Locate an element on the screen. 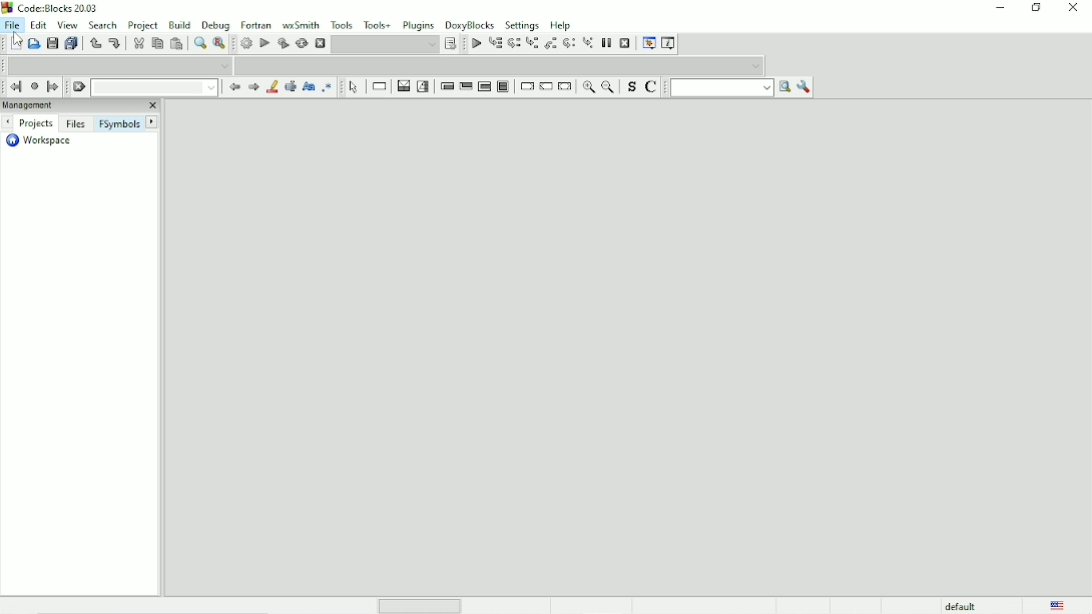 Image resolution: width=1092 pixels, height=614 pixels. cursor is located at coordinates (19, 41).